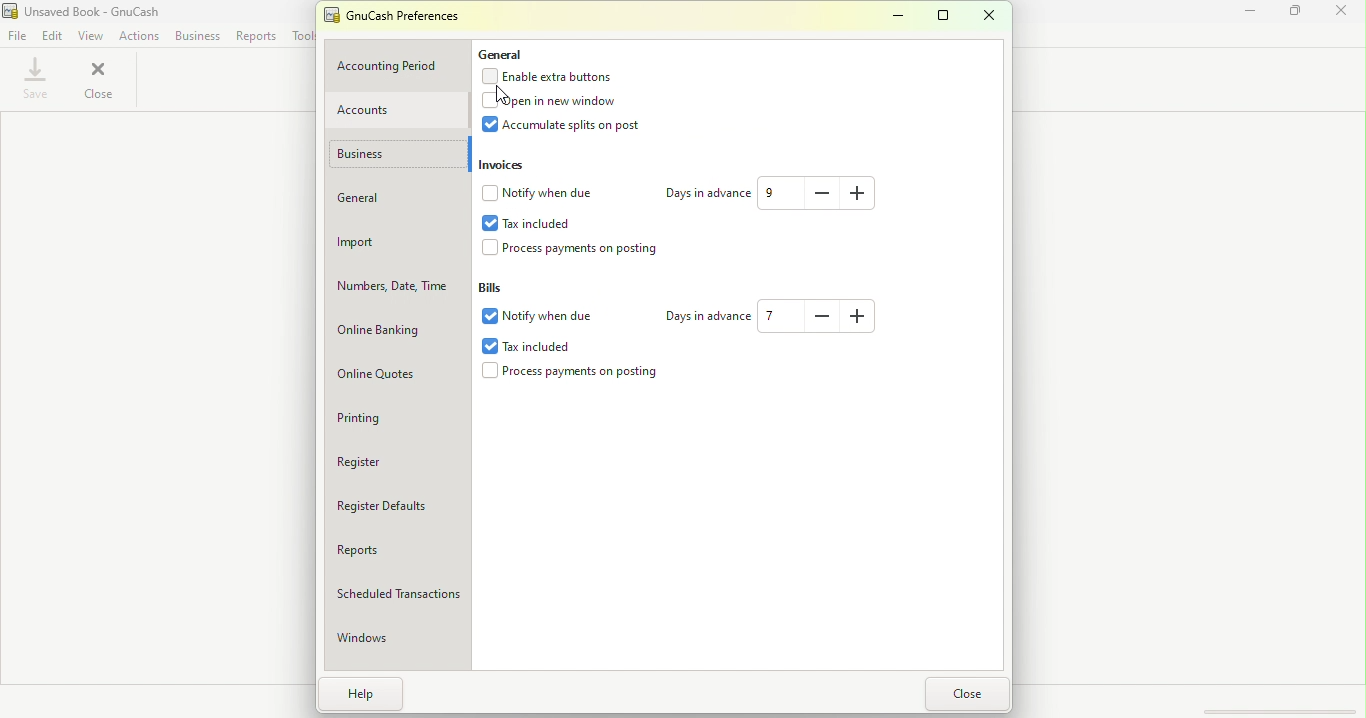 Image resolution: width=1366 pixels, height=718 pixels. Describe the element at coordinates (140, 34) in the screenshot. I see `Actions` at that location.